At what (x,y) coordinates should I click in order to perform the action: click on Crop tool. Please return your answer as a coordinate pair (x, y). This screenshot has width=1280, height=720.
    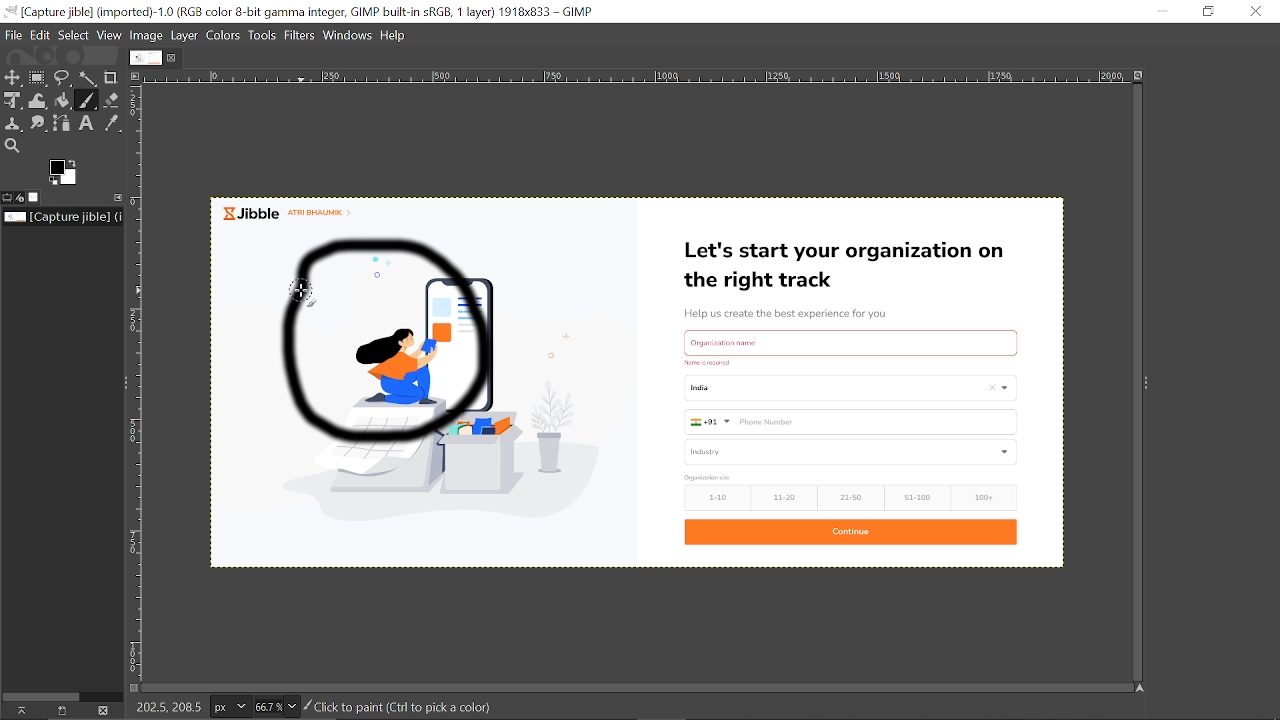
    Looking at the image, I should click on (112, 78).